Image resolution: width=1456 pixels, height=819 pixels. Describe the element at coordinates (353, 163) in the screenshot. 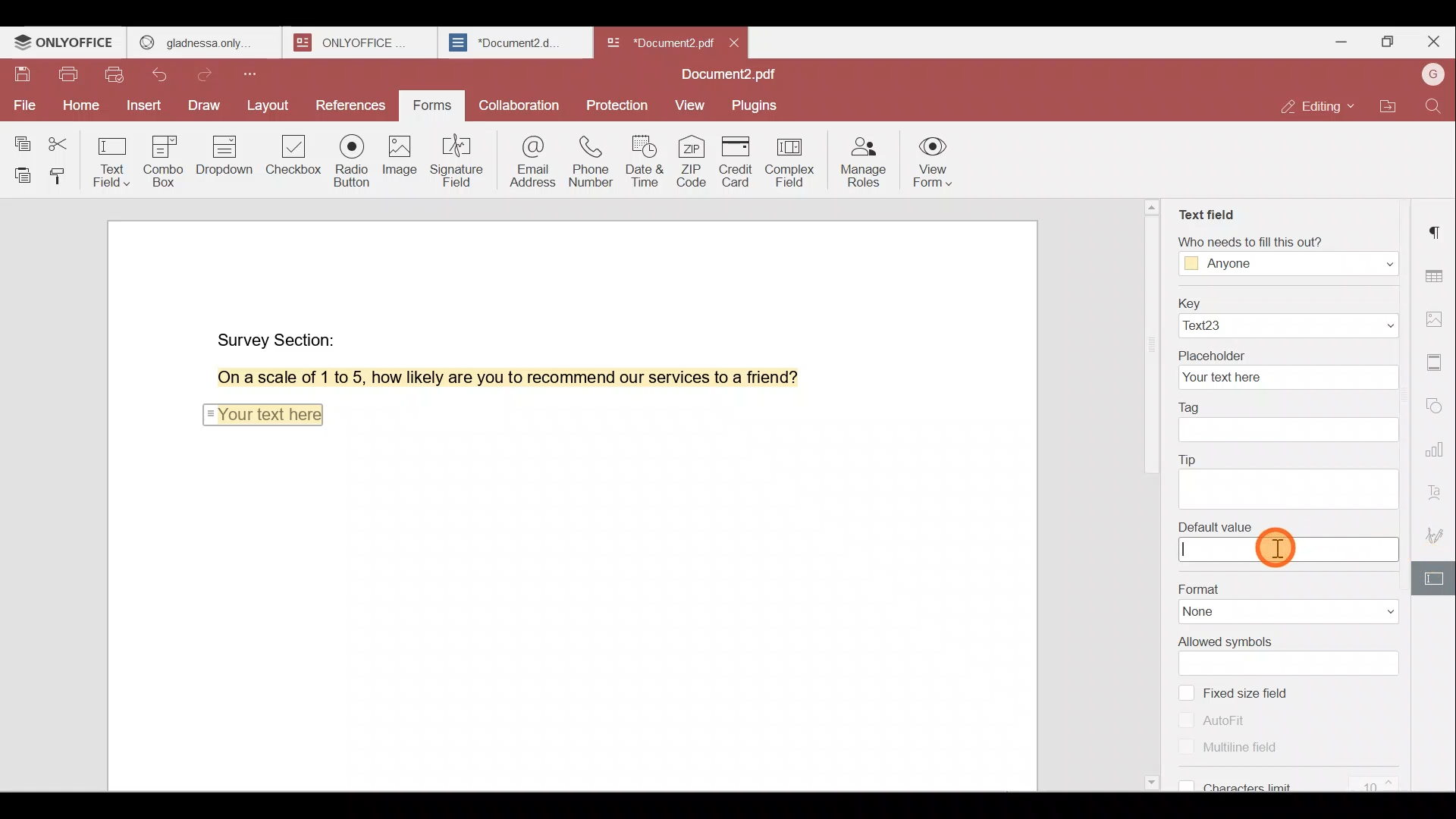

I see `Radio` at that location.